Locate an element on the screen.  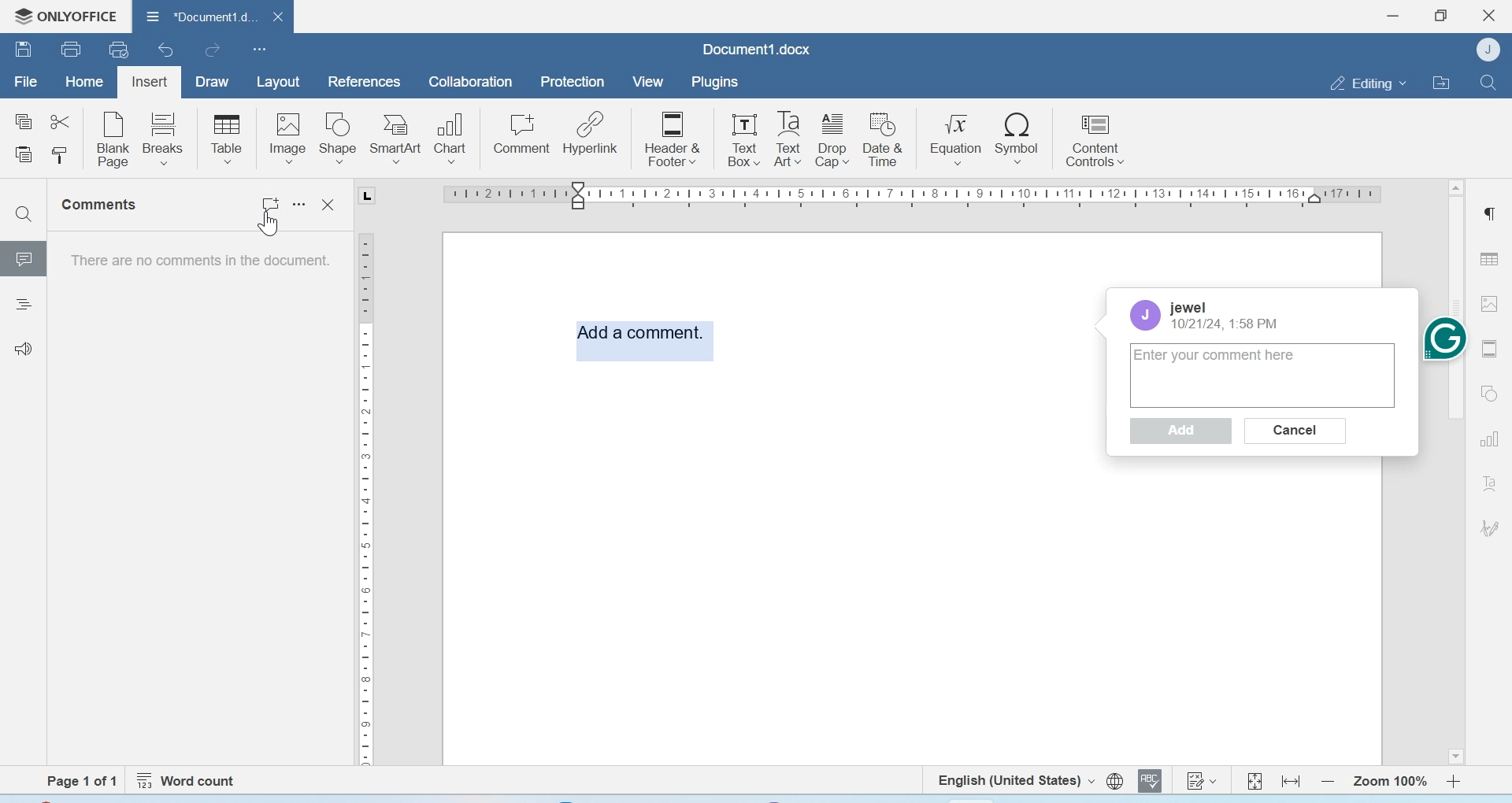
Close is located at coordinates (332, 205).